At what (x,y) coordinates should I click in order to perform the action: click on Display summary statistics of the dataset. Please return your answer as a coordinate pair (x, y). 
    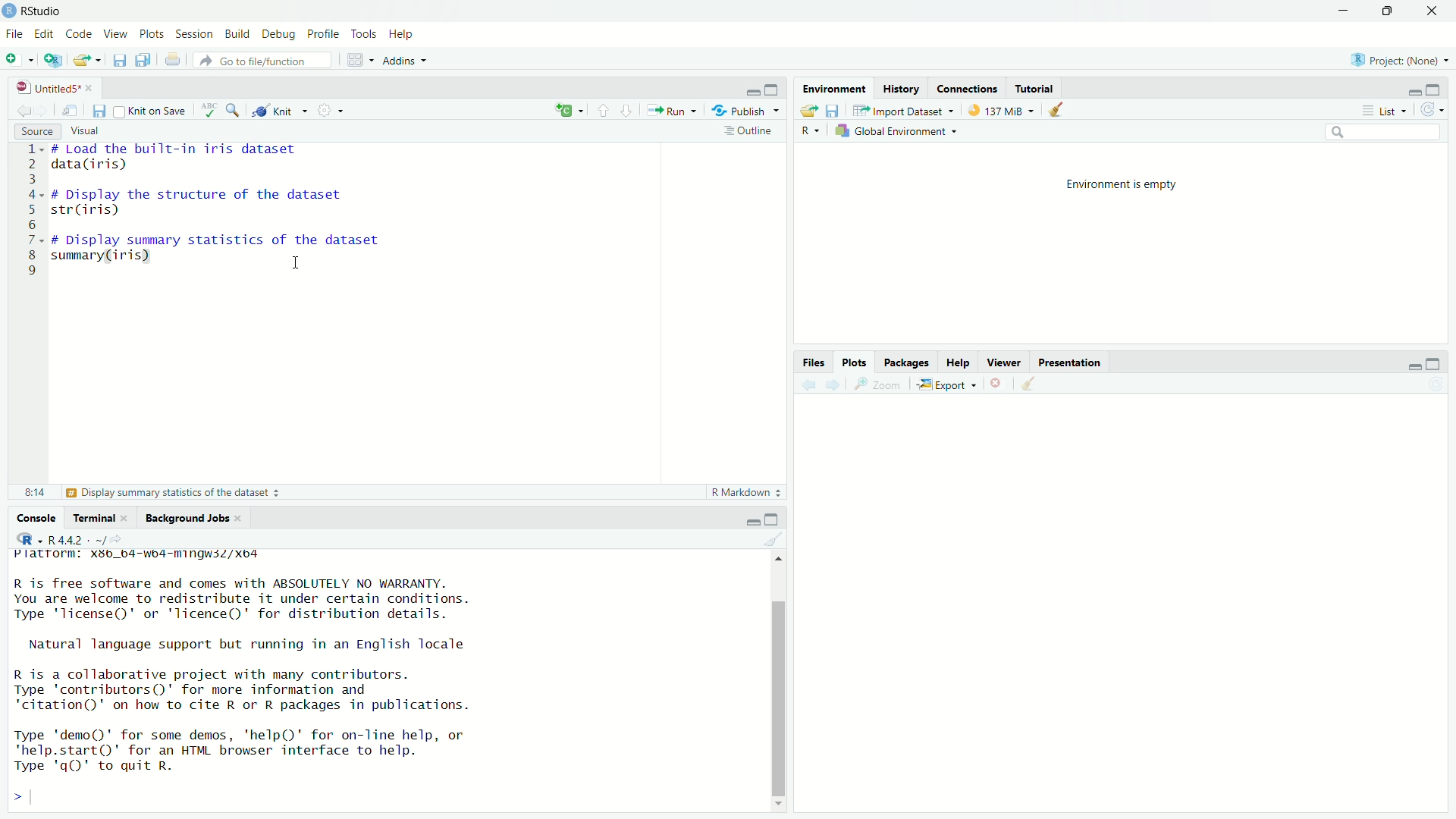
    Looking at the image, I should click on (172, 492).